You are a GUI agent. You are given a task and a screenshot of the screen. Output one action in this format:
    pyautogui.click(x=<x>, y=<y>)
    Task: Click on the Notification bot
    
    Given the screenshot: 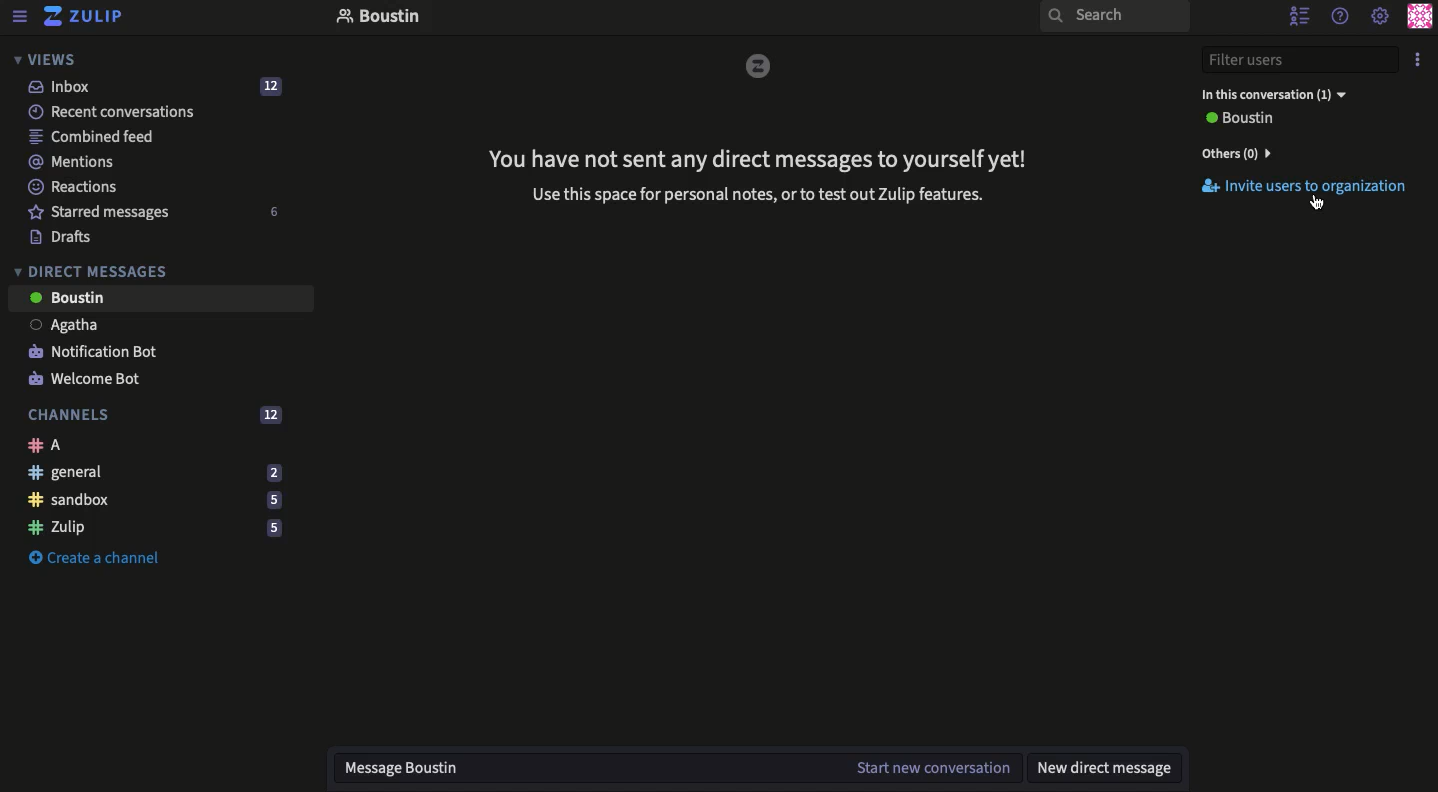 What is the action you would take?
    pyautogui.click(x=85, y=353)
    